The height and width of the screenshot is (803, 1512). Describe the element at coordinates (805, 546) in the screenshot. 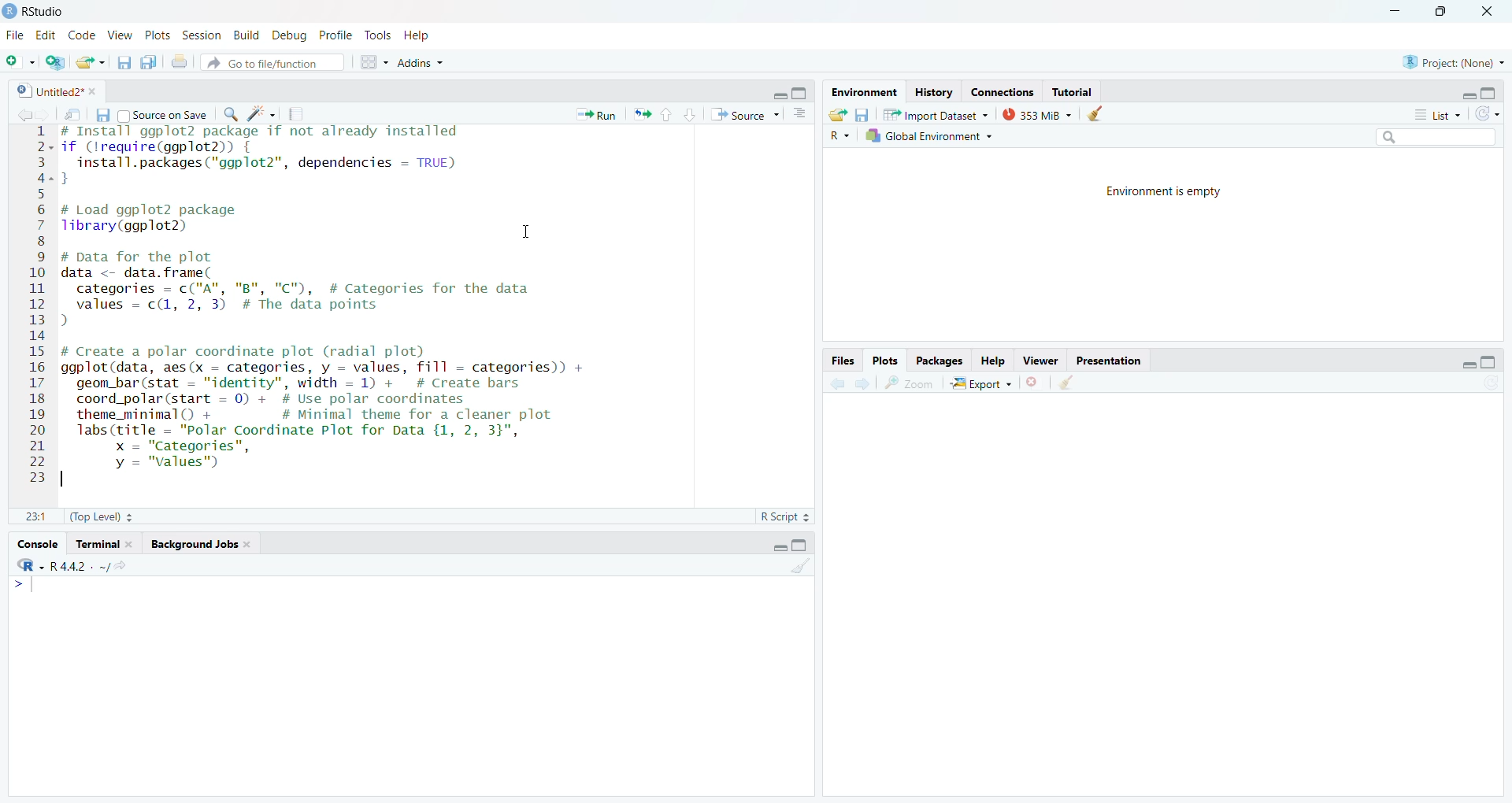

I see `hide console` at that location.